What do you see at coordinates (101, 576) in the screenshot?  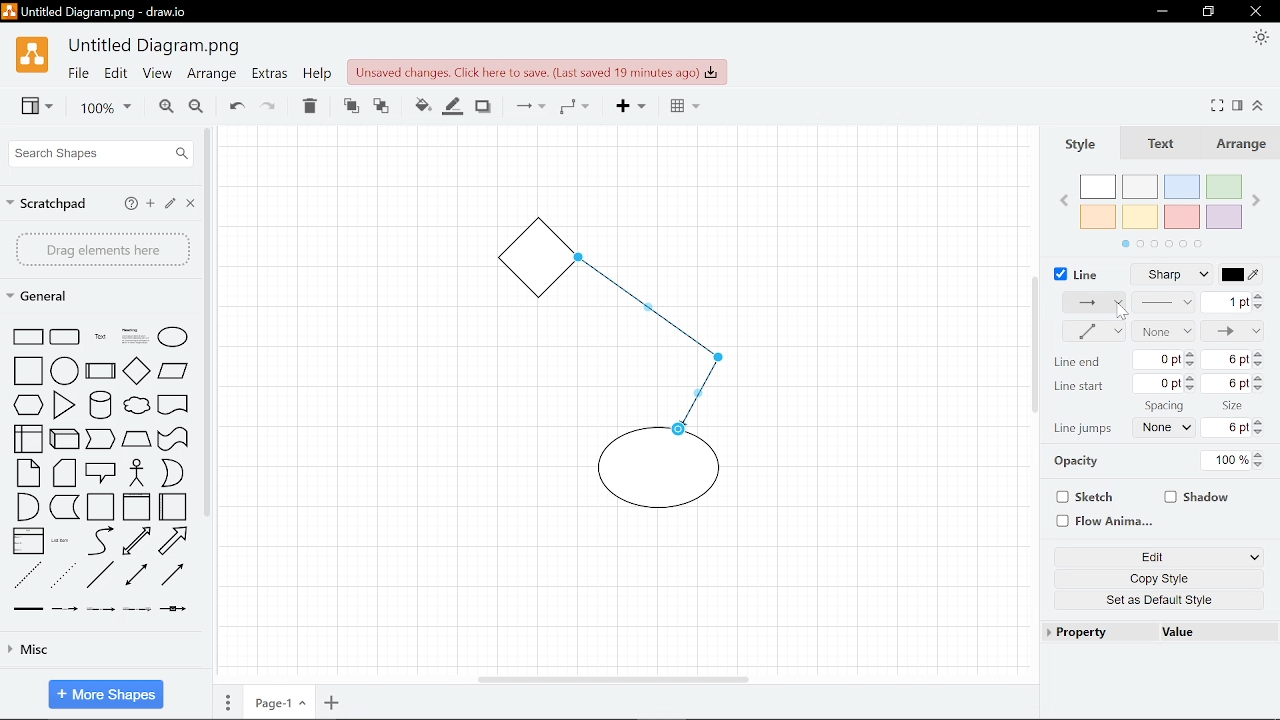 I see `shape` at bounding box center [101, 576].